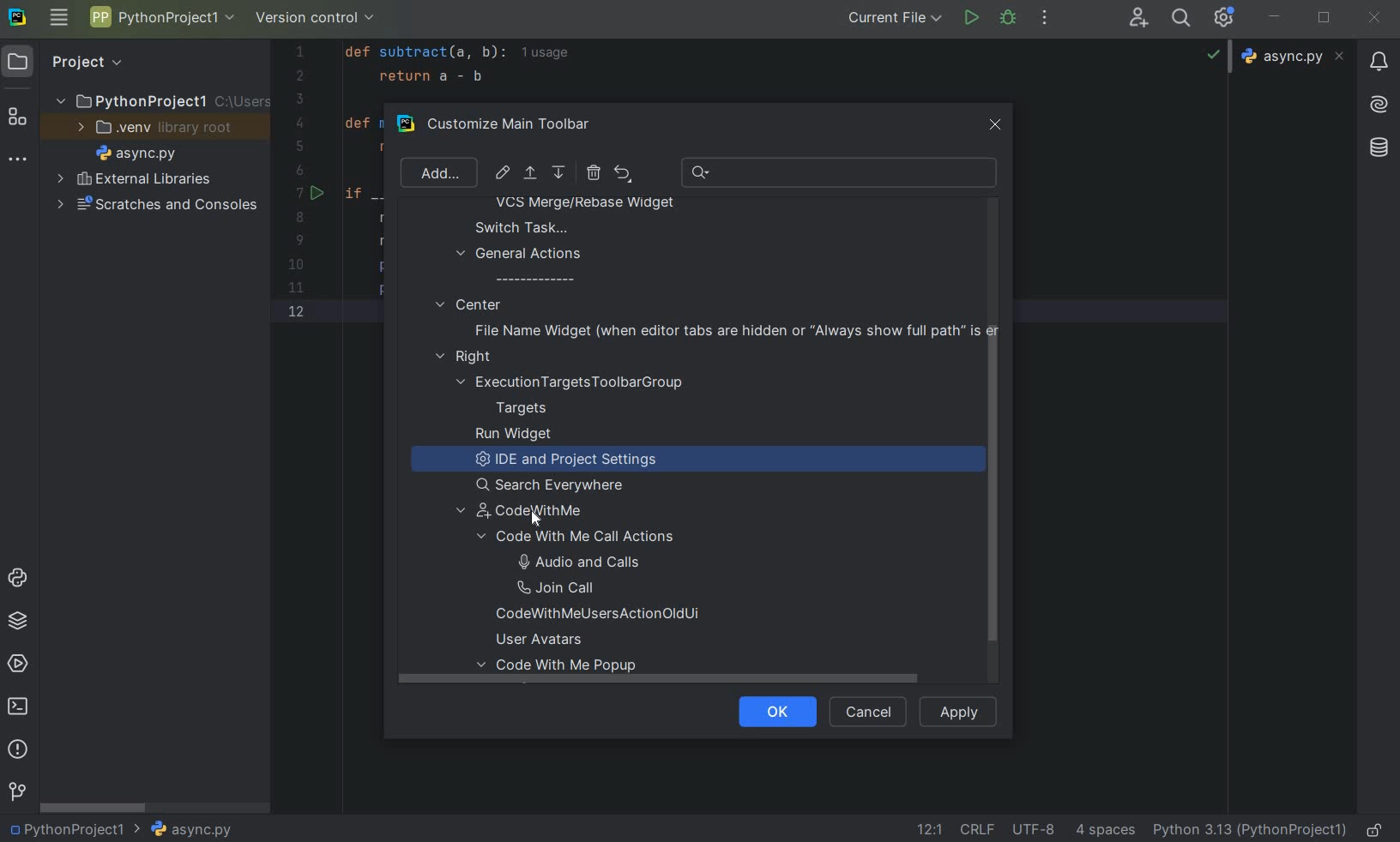 The image size is (1400, 842). I want to click on SYSTEM LOGO, so click(19, 18).